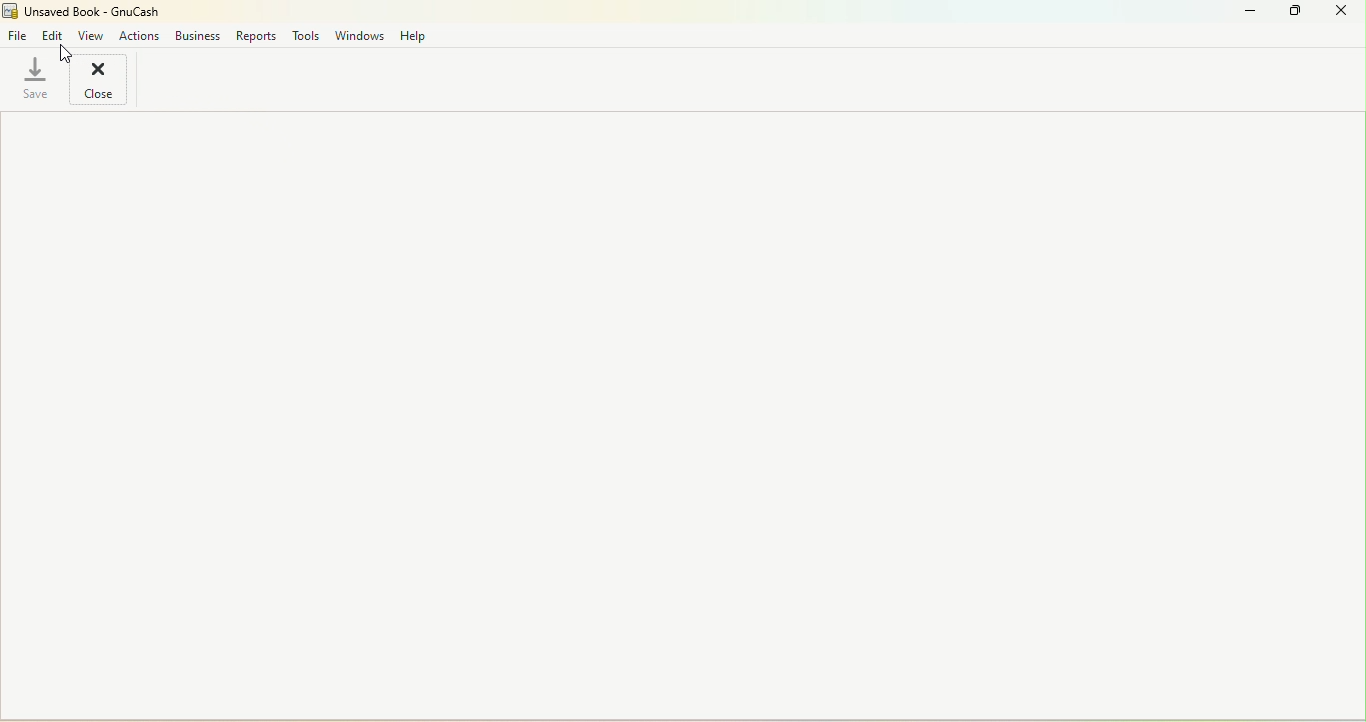 This screenshot has width=1366, height=722. Describe the element at coordinates (412, 33) in the screenshot. I see `Help` at that location.